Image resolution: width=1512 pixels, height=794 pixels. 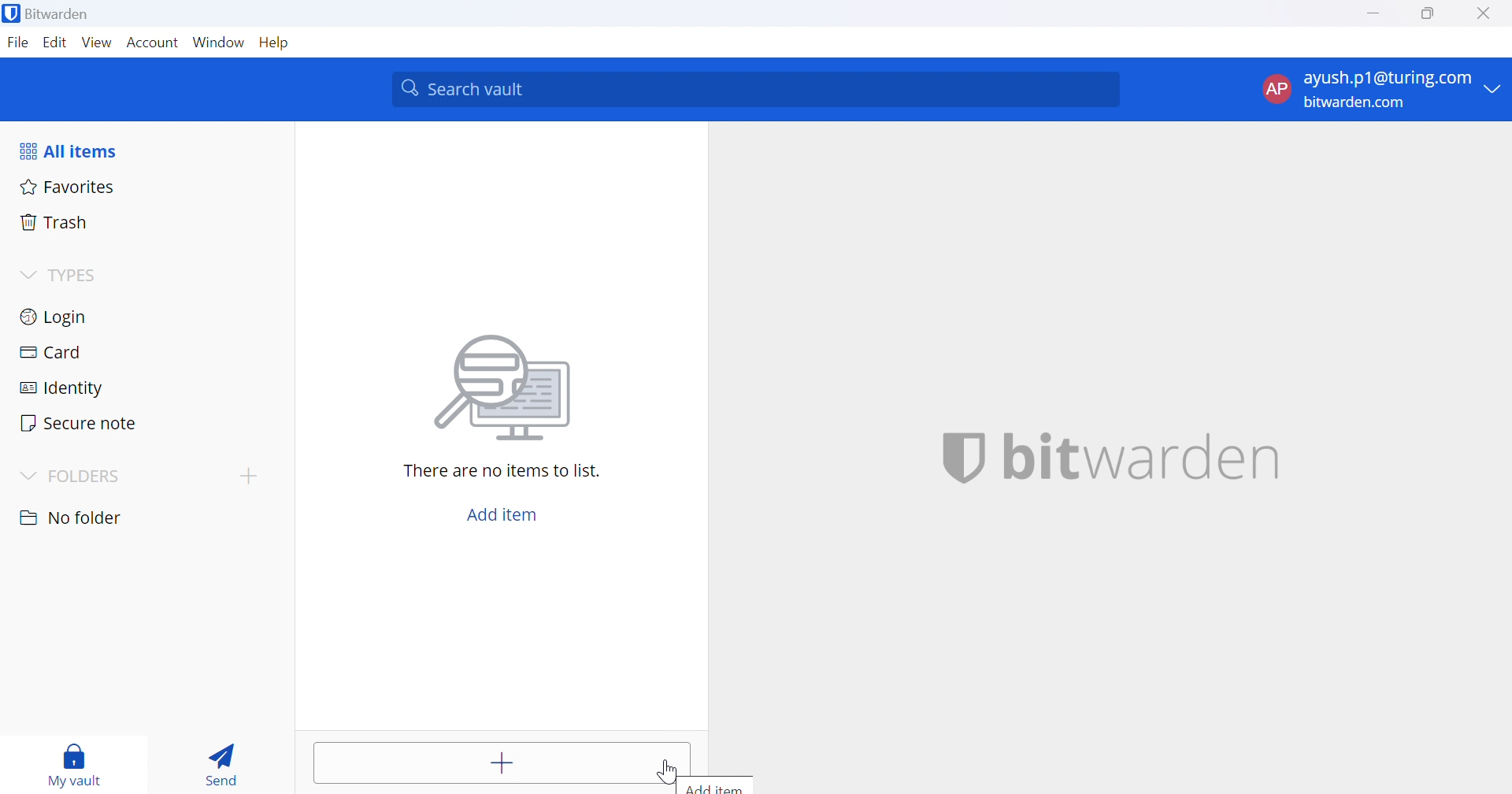 What do you see at coordinates (77, 767) in the screenshot?
I see `My vault` at bounding box center [77, 767].